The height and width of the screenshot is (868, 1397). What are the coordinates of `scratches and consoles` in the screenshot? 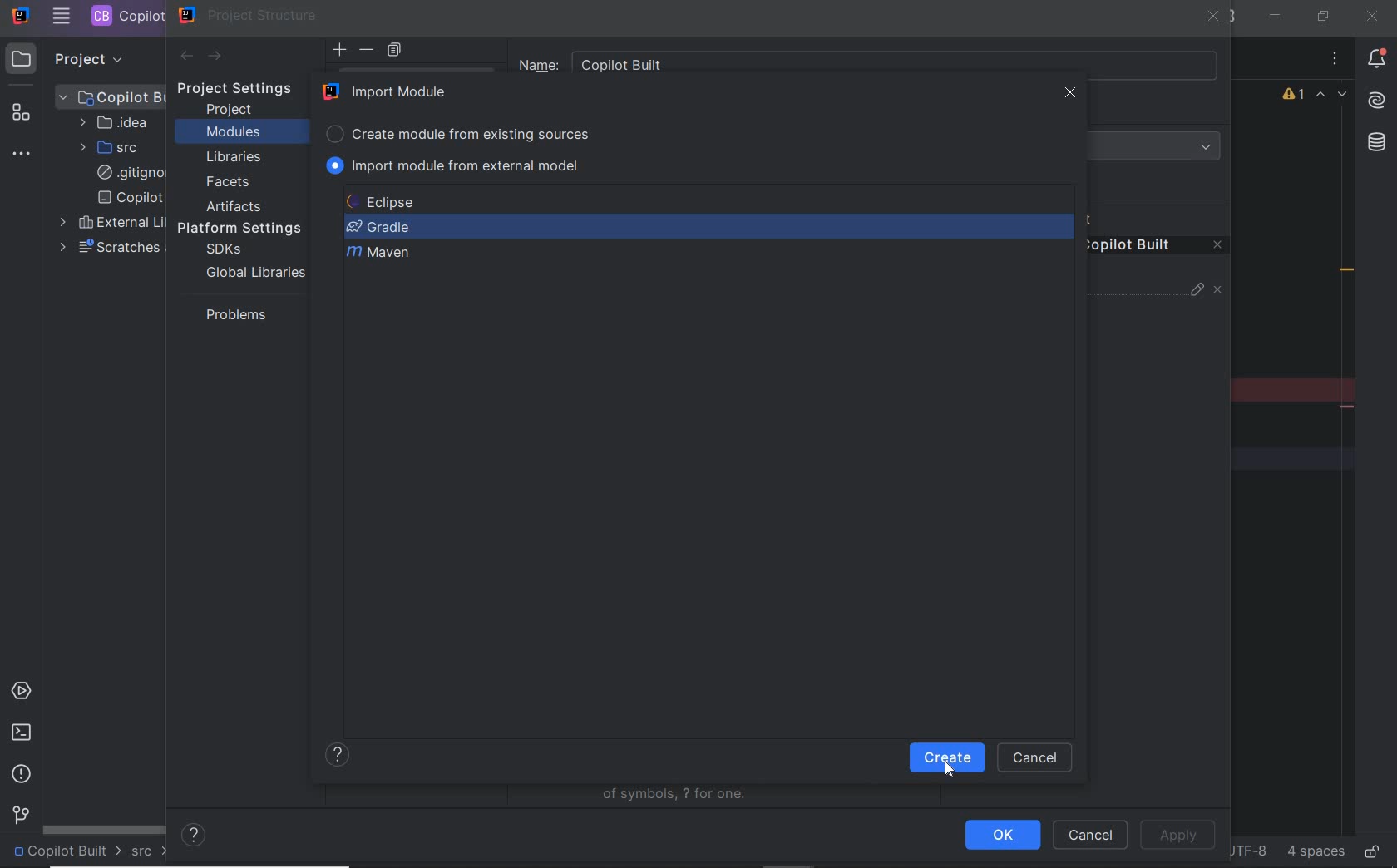 It's located at (109, 248).